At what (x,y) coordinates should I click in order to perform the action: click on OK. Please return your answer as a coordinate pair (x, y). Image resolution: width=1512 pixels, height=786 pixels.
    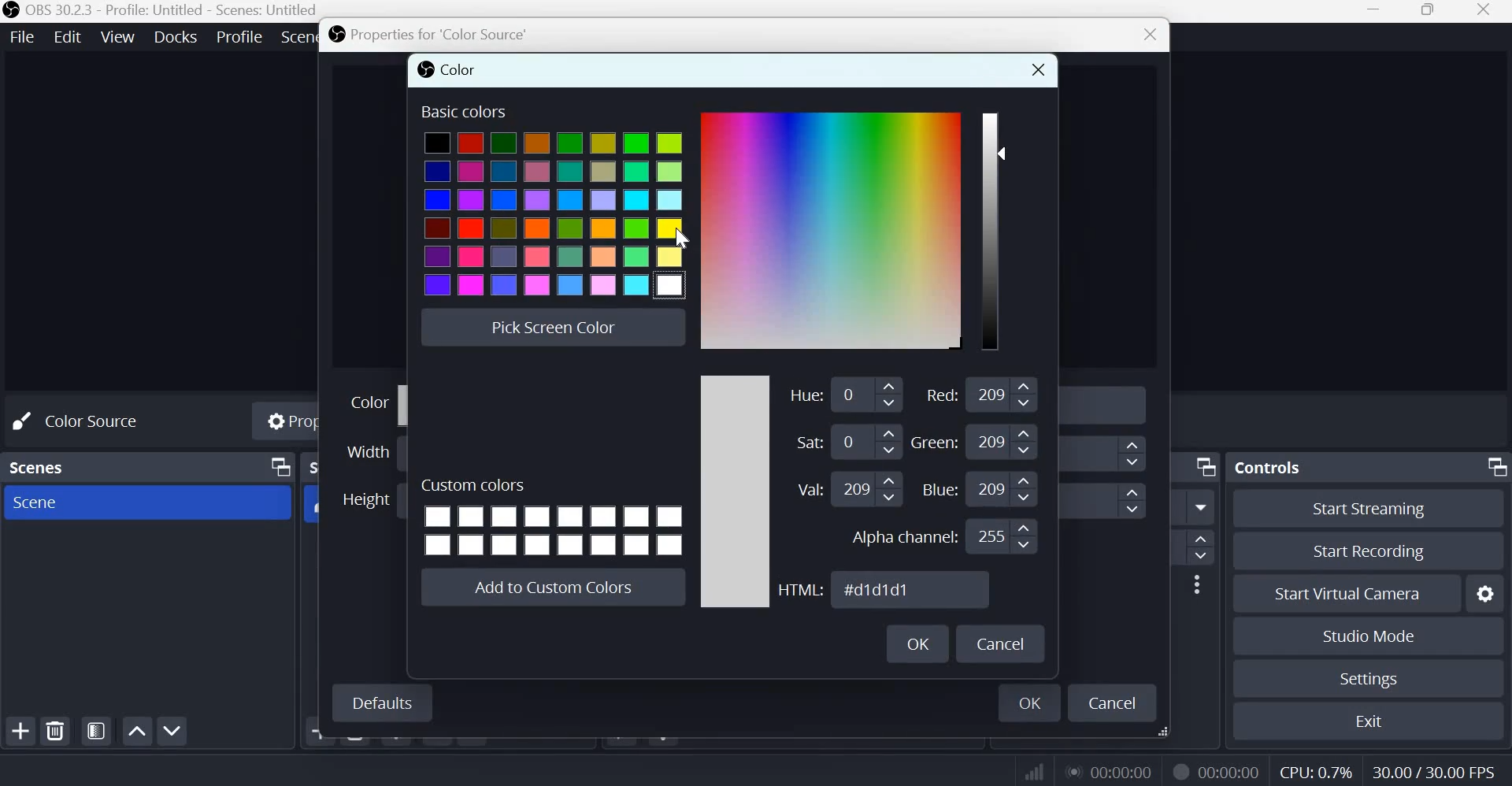
    Looking at the image, I should click on (916, 643).